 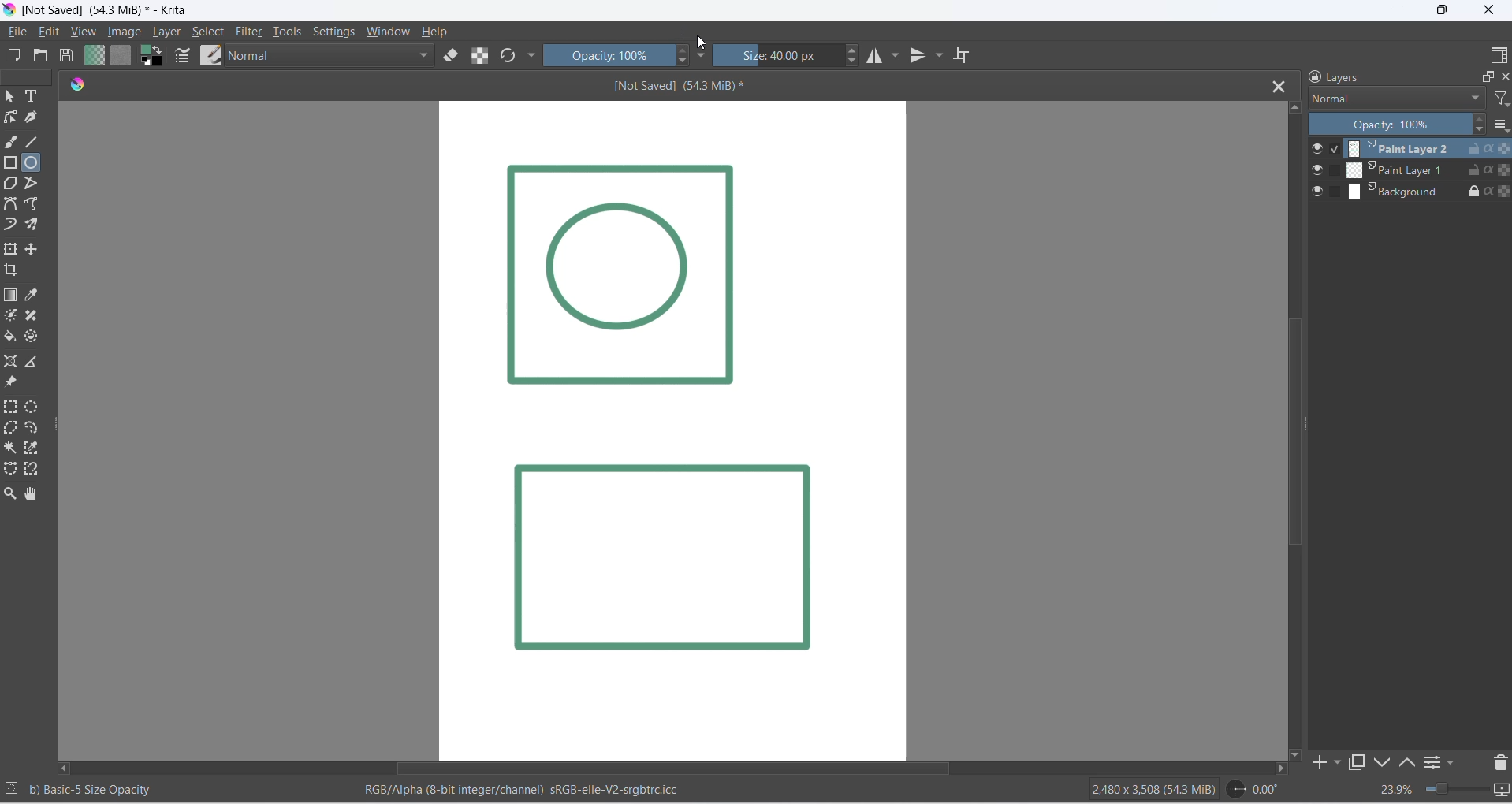 What do you see at coordinates (1306, 427) in the screenshot?
I see `scrollbar` at bounding box center [1306, 427].